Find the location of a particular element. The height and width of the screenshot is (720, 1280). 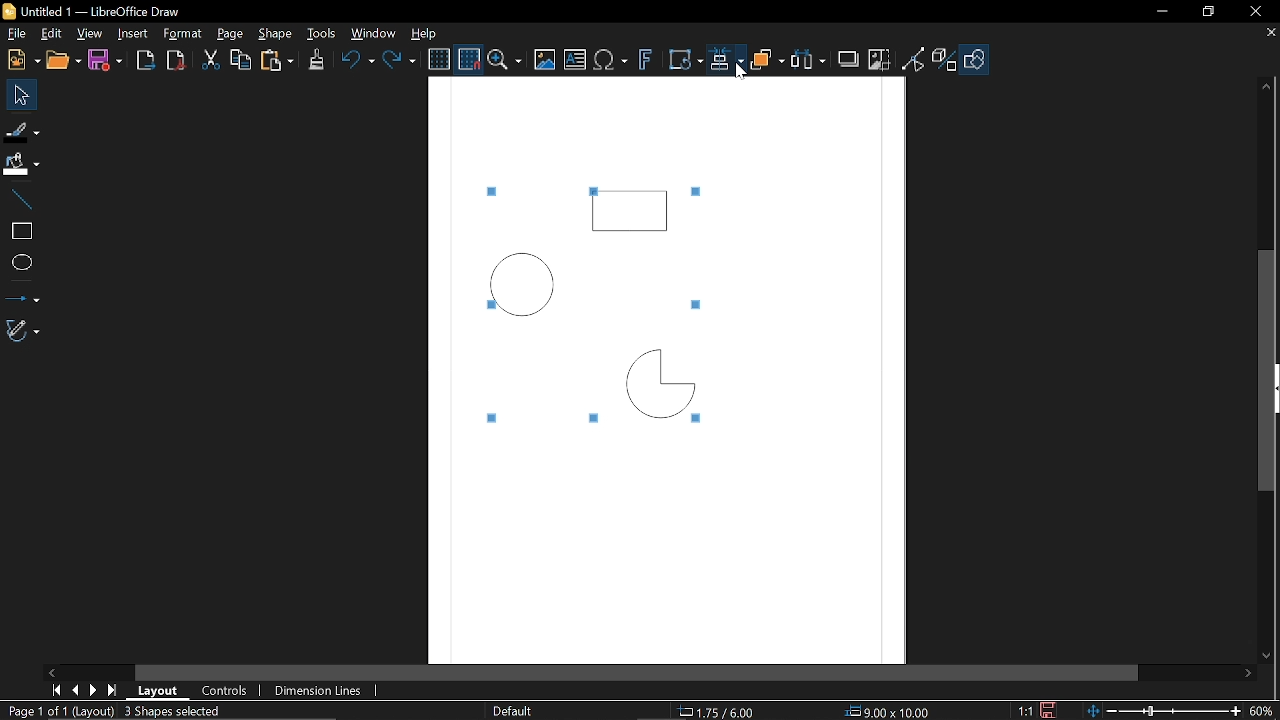

Circle is located at coordinates (525, 283).